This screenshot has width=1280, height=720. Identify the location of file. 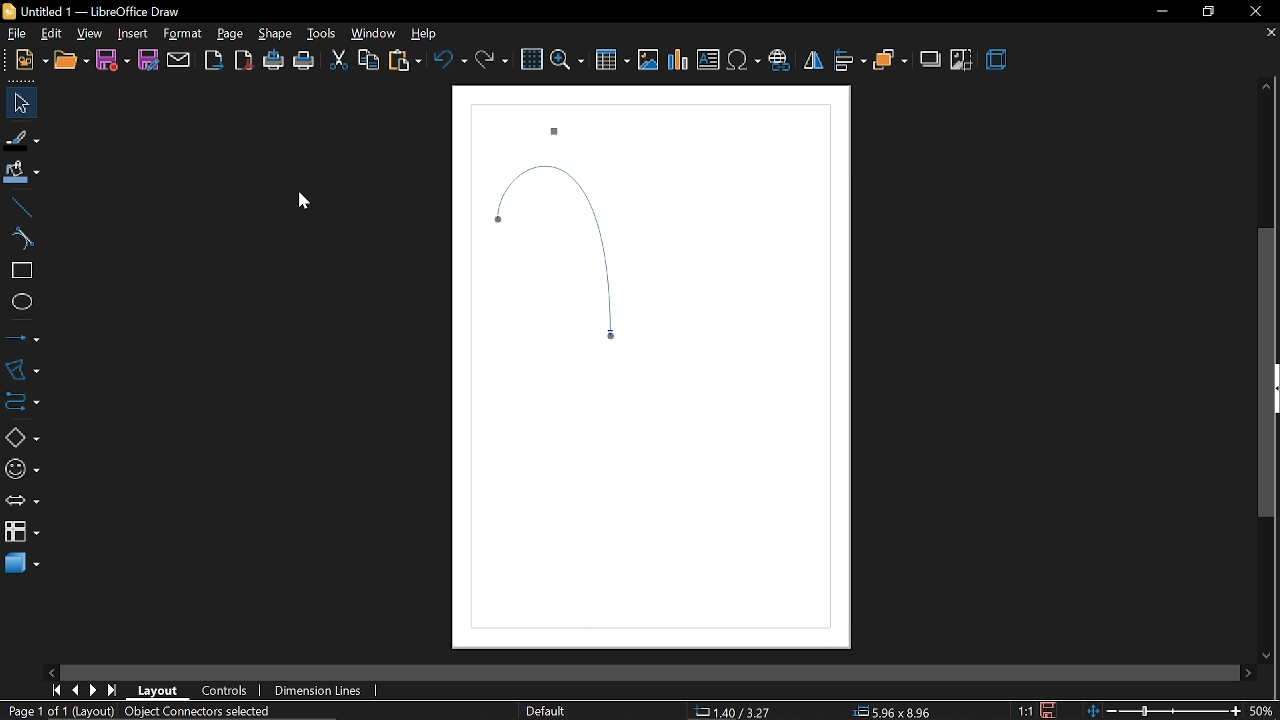
(13, 33).